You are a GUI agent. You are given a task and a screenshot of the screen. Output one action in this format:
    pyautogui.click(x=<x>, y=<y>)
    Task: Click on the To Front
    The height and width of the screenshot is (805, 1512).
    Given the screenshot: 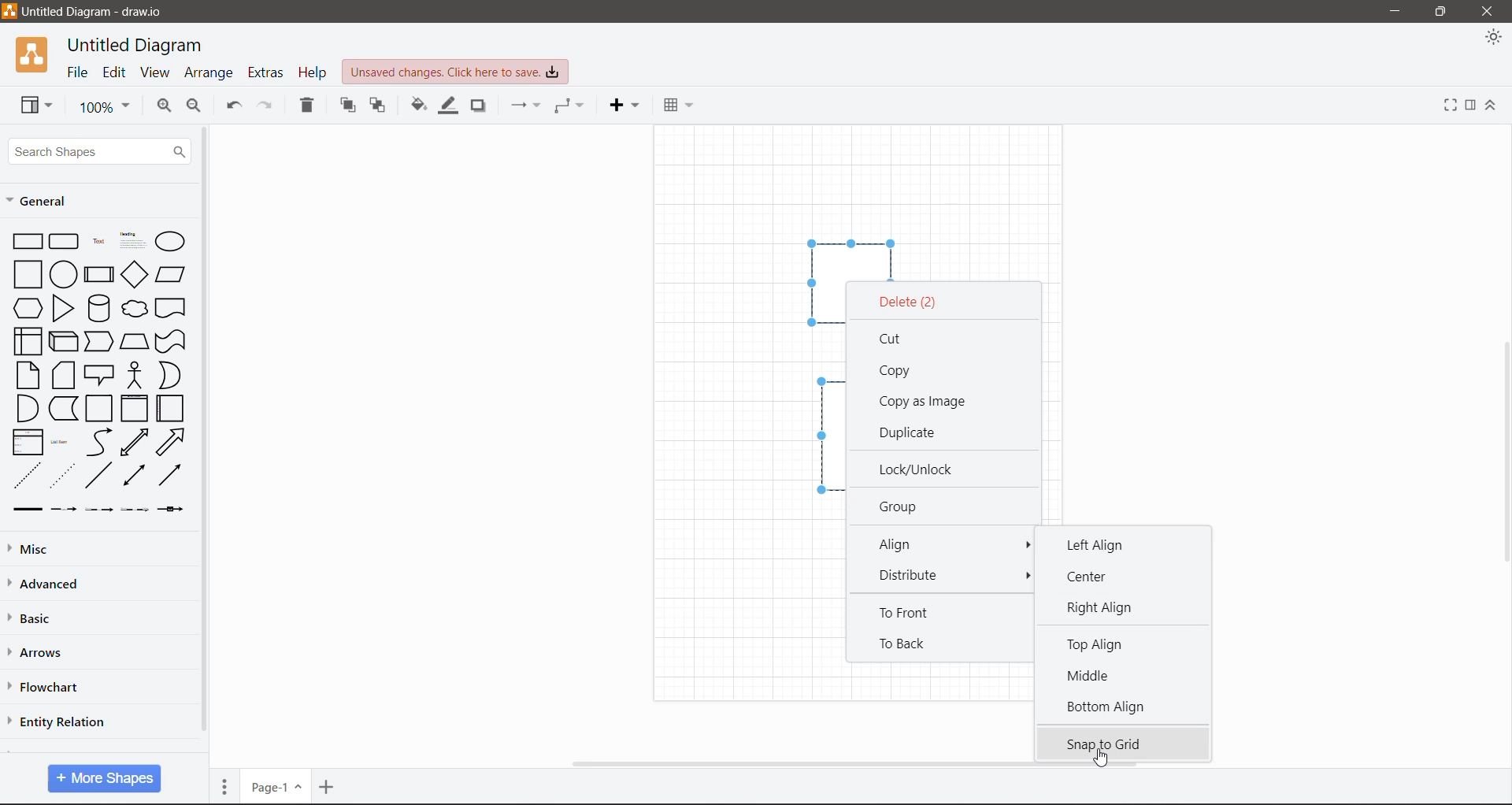 What is the action you would take?
    pyautogui.click(x=347, y=106)
    